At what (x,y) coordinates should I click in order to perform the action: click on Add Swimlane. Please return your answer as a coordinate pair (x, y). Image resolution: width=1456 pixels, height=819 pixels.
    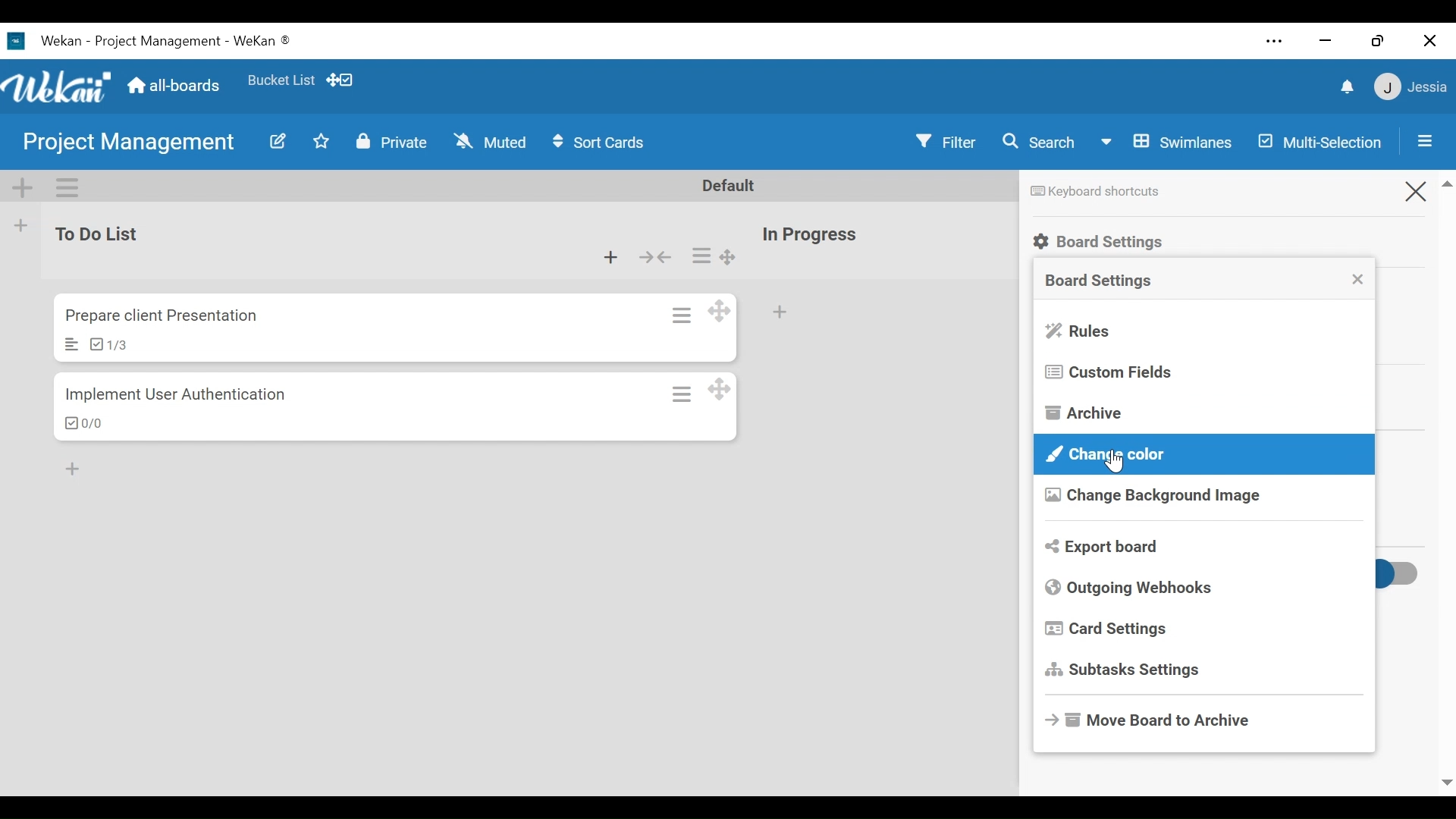
    Looking at the image, I should click on (21, 187).